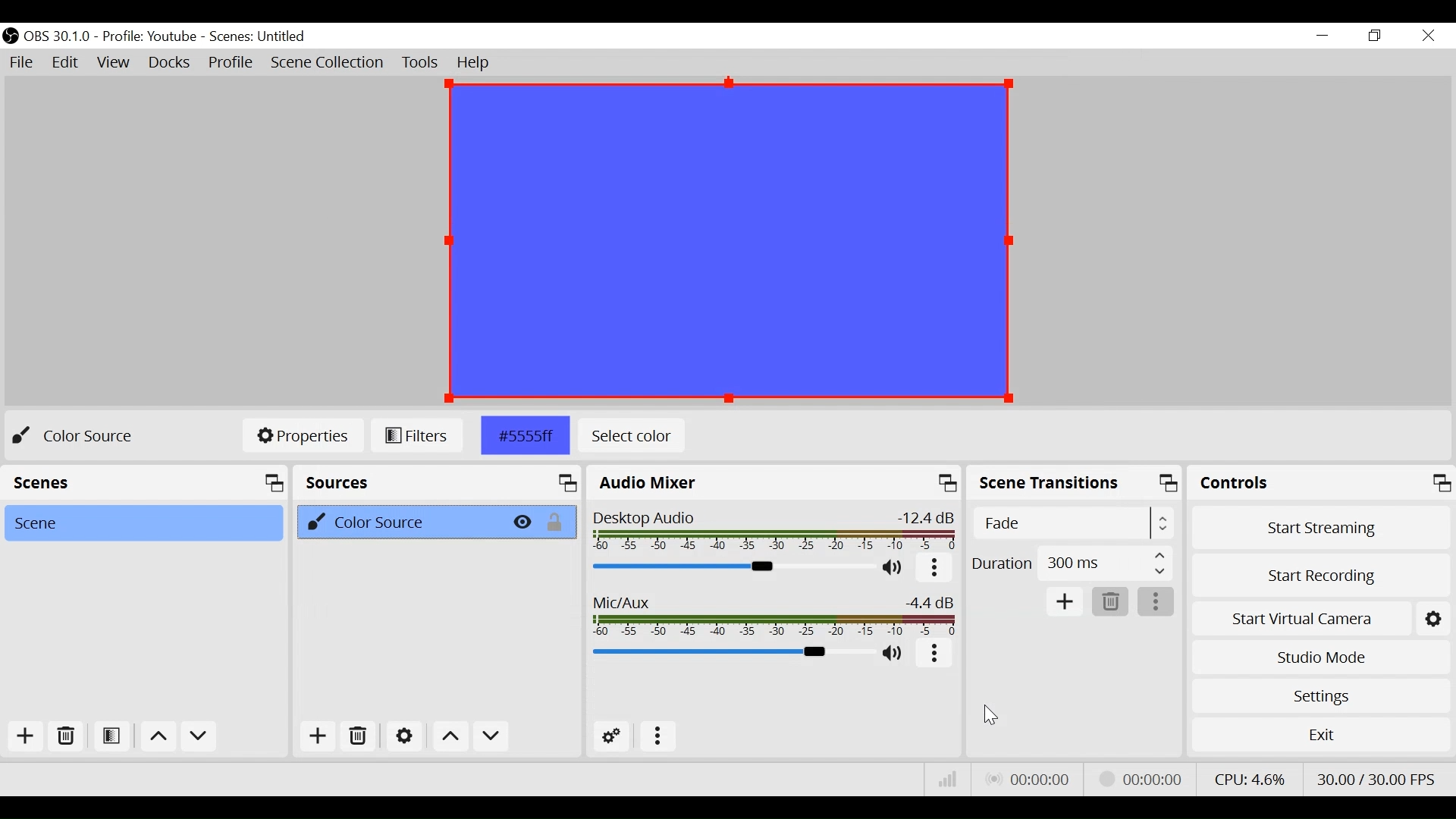 The image size is (1456, 819). Describe the element at coordinates (318, 736) in the screenshot. I see `Add` at that location.